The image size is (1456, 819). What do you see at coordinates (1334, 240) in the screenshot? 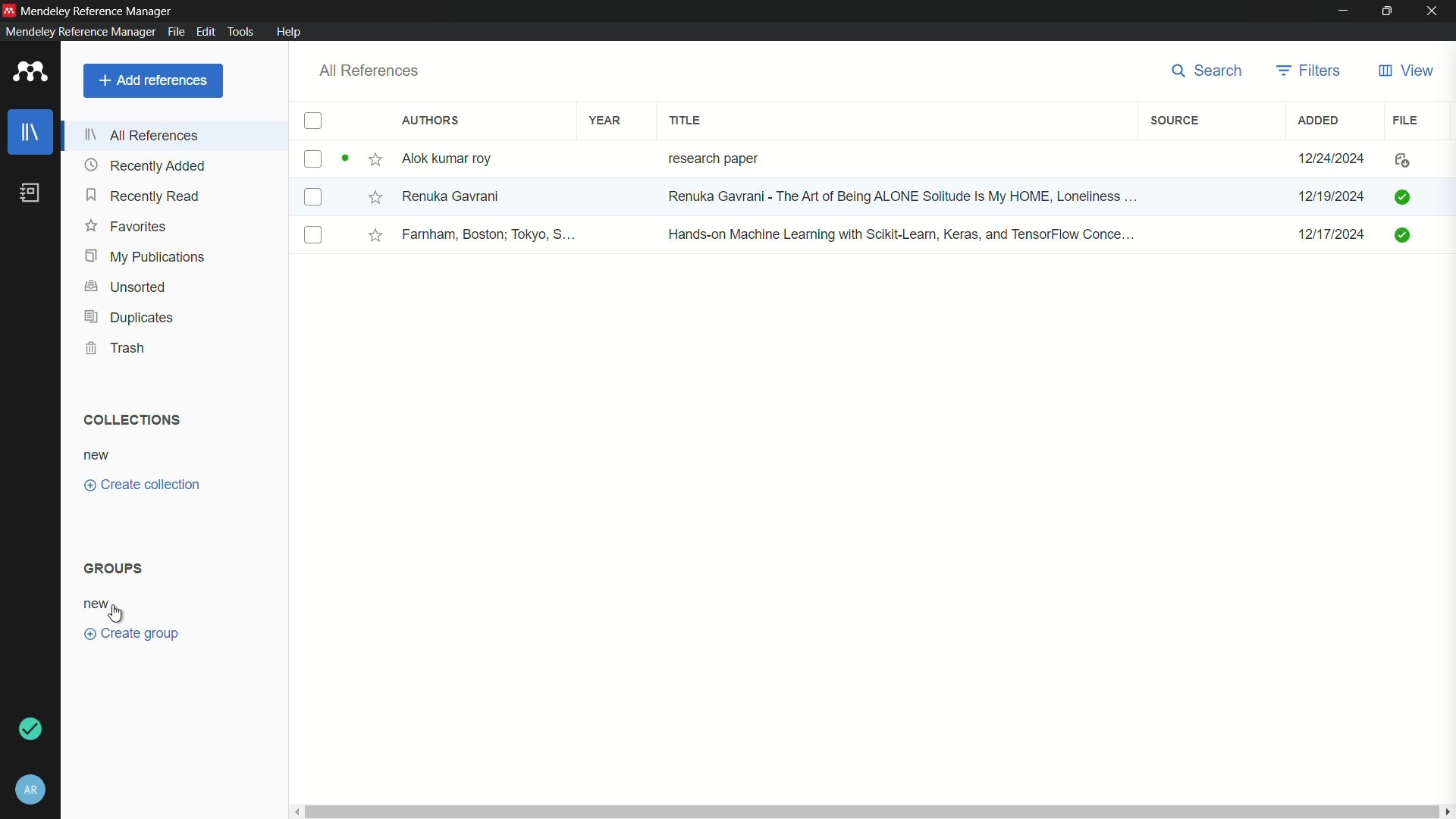
I see `Date` at bounding box center [1334, 240].